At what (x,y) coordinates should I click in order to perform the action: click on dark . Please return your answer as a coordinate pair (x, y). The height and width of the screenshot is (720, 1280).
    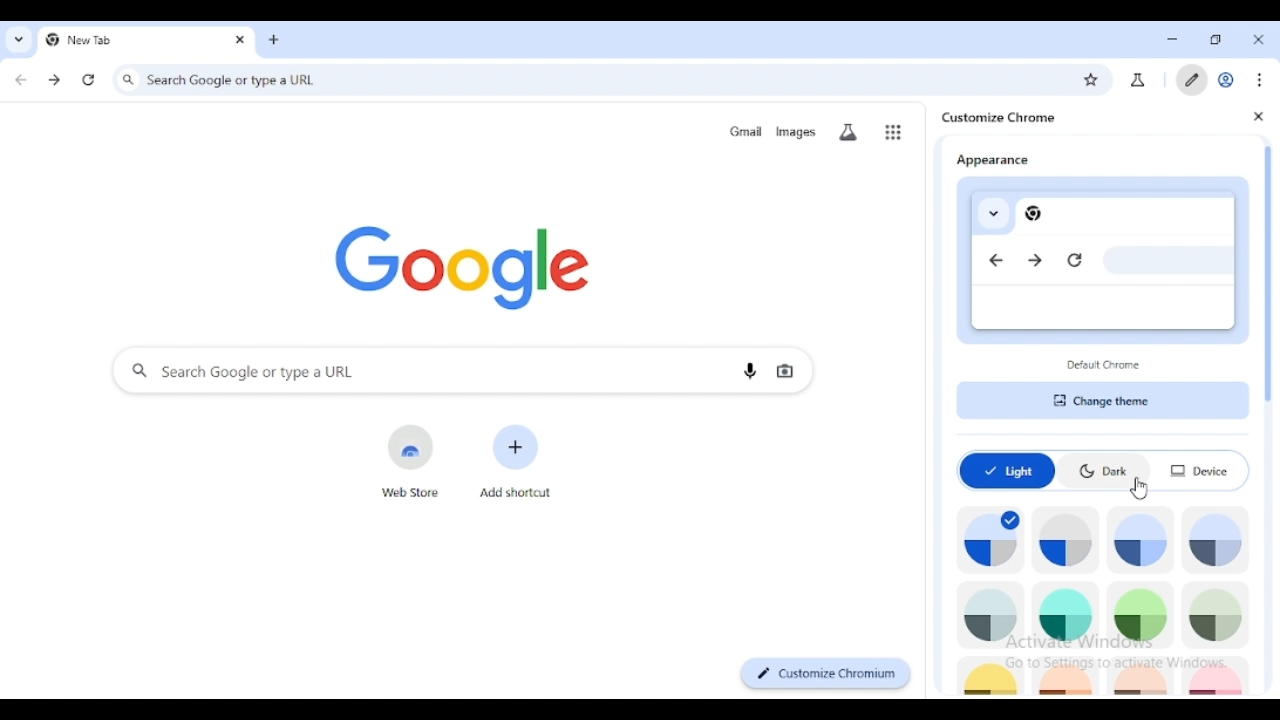
    Looking at the image, I should click on (1105, 472).